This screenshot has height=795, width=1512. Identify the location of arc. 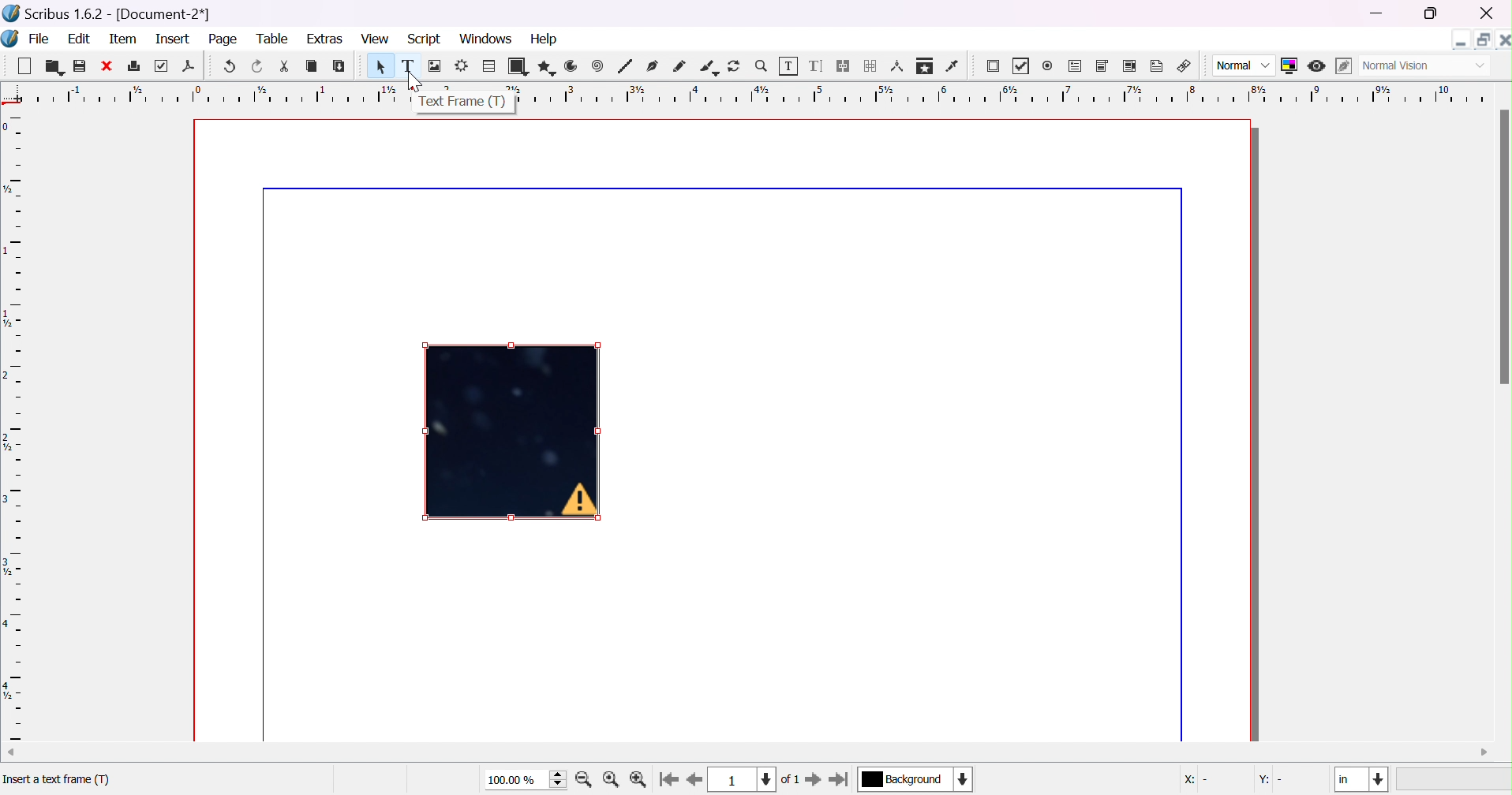
(572, 65).